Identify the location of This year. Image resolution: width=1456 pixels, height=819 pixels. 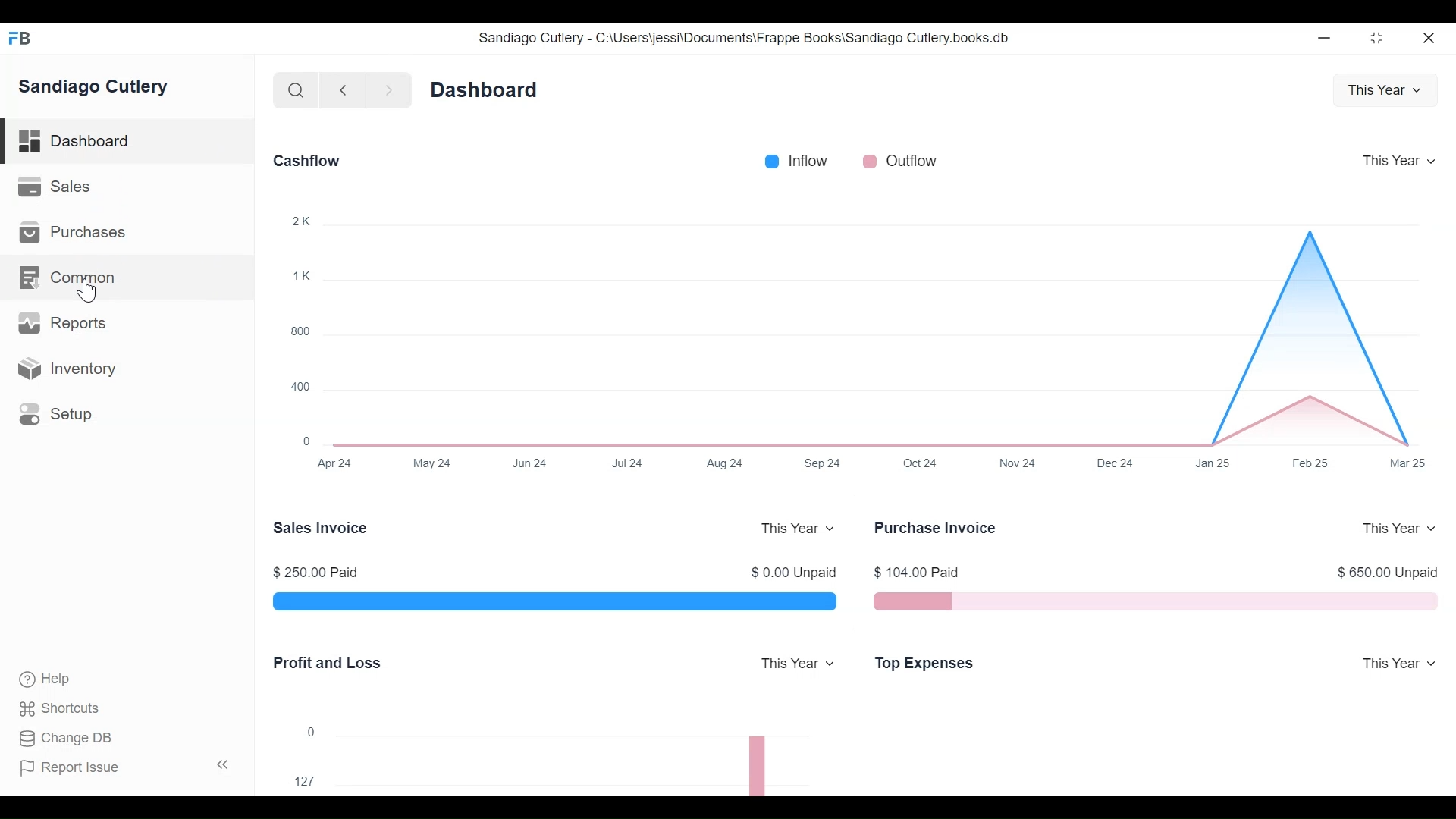
(1401, 528).